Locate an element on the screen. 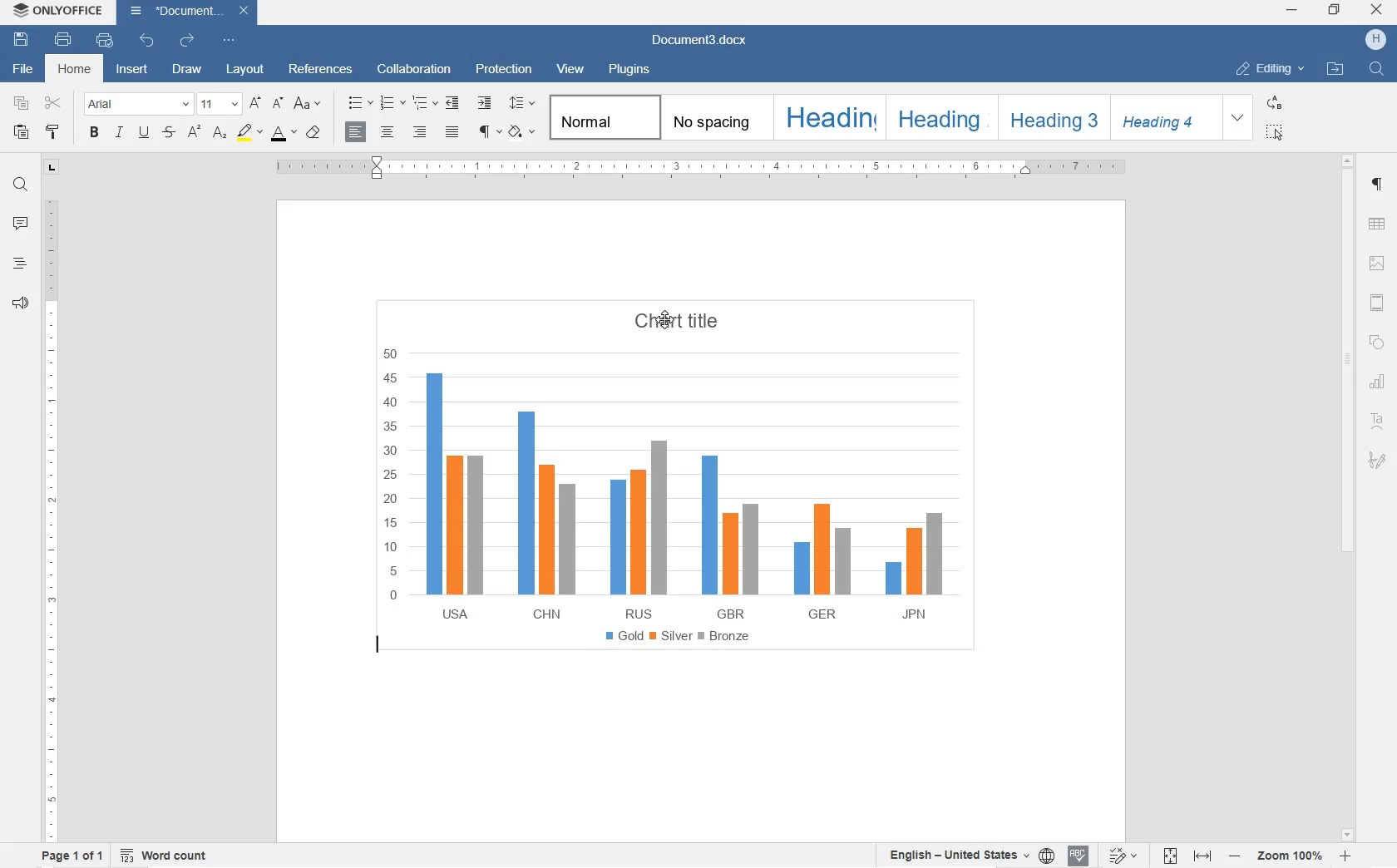  PLUGINS is located at coordinates (628, 70).